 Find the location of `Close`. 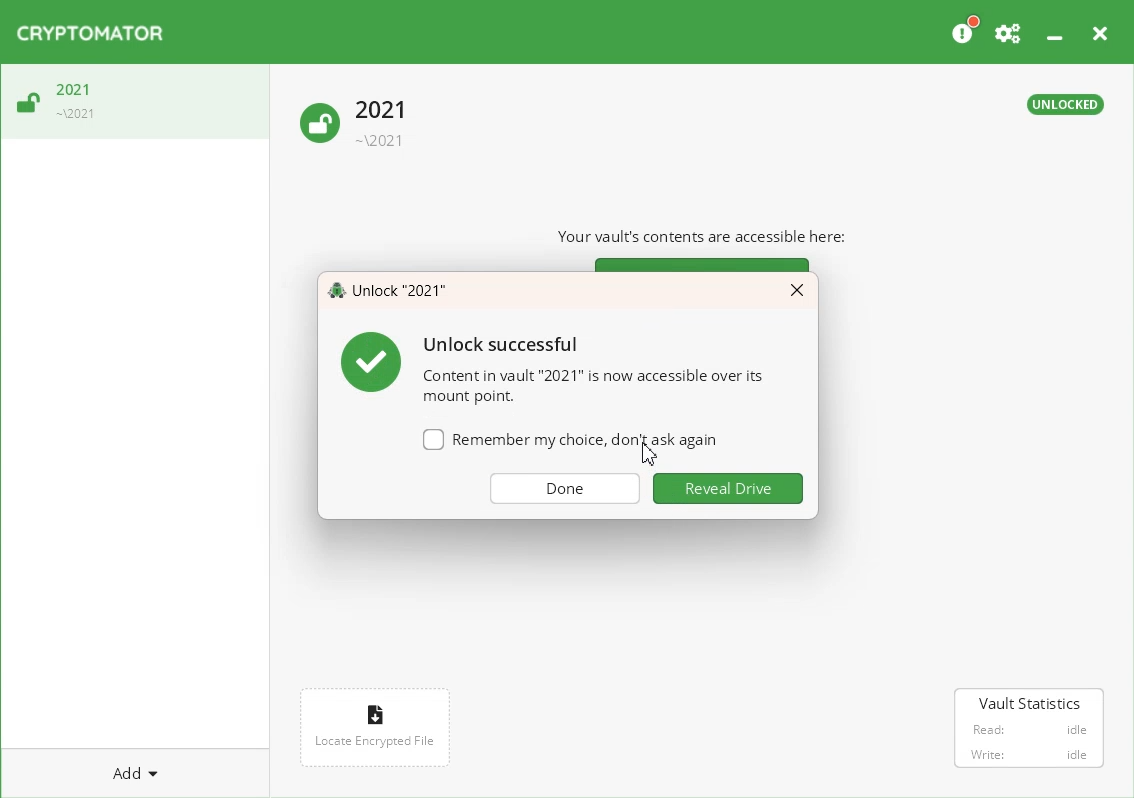

Close is located at coordinates (1099, 30).